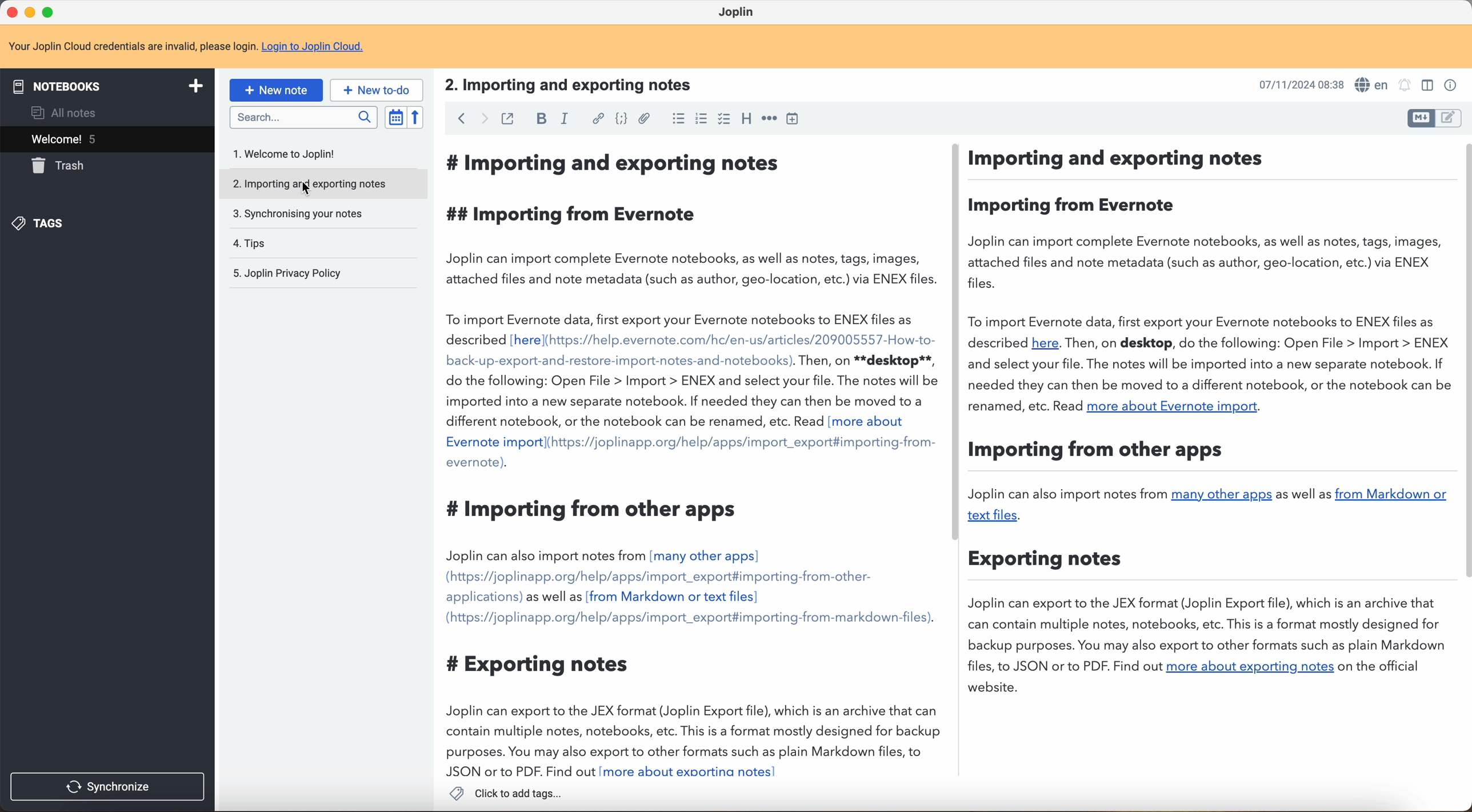 The image size is (1472, 812). What do you see at coordinates (61, 113) in the screenshot?
I see `all notes` at bounding box center [61, 113].